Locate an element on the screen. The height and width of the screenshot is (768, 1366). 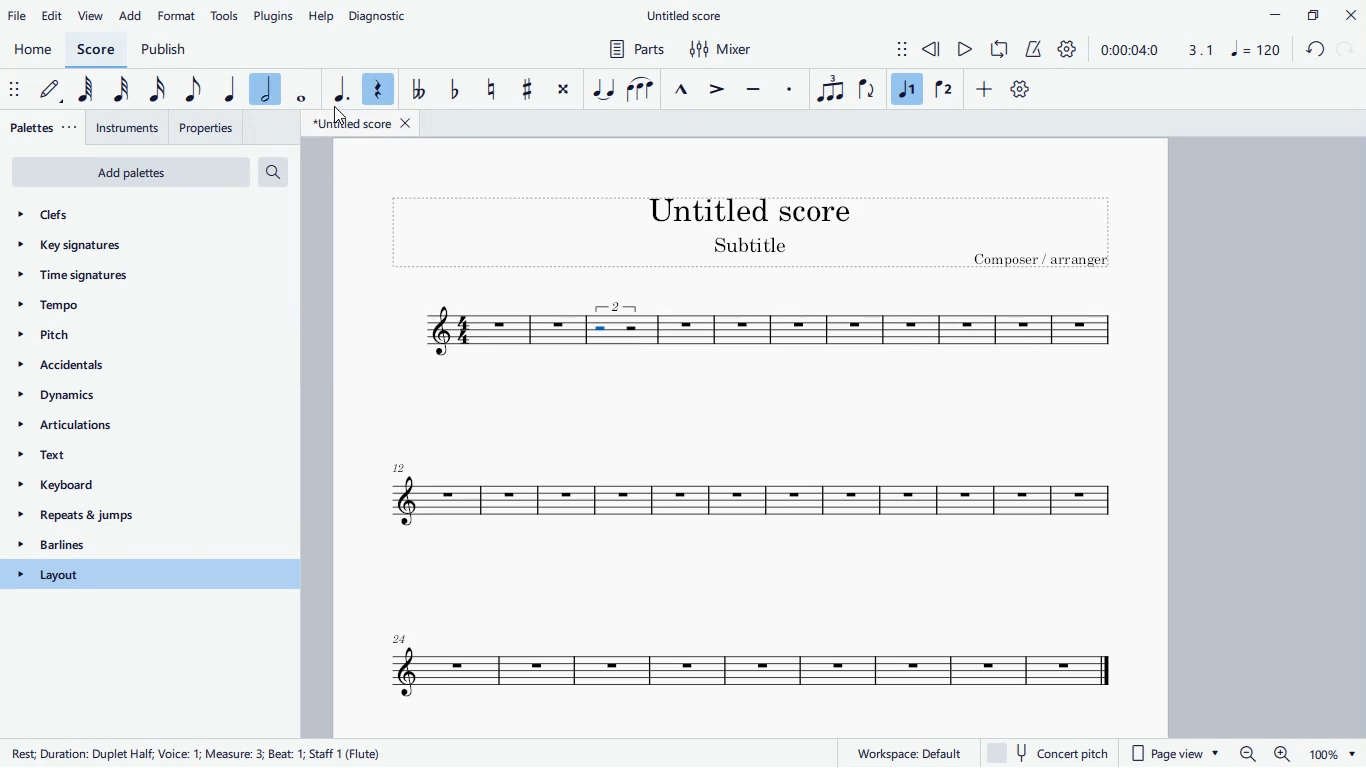
back is located at coordinates (1314, 50).